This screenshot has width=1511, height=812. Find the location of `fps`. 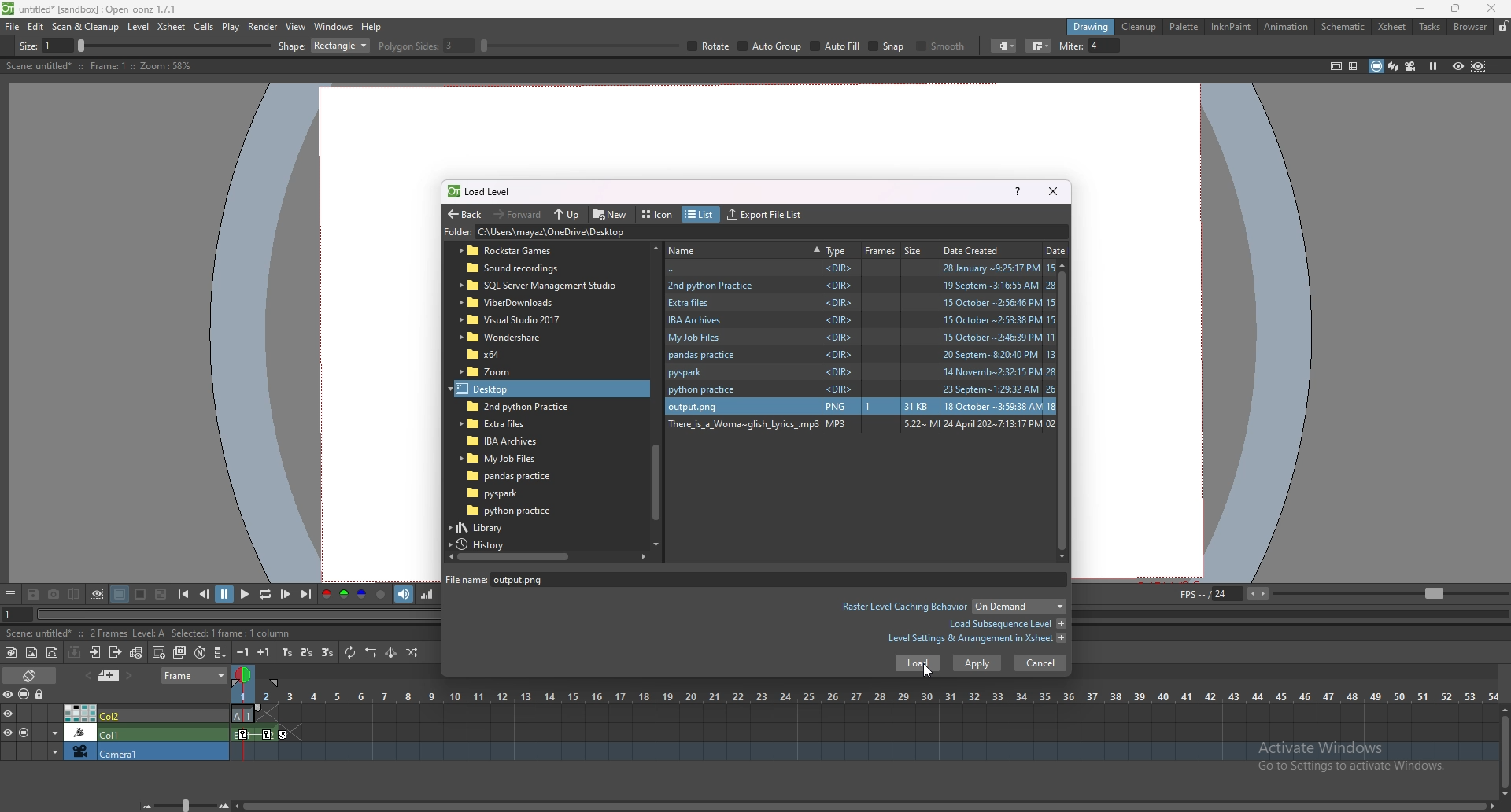

fps is located at coordinates (1341, 592).